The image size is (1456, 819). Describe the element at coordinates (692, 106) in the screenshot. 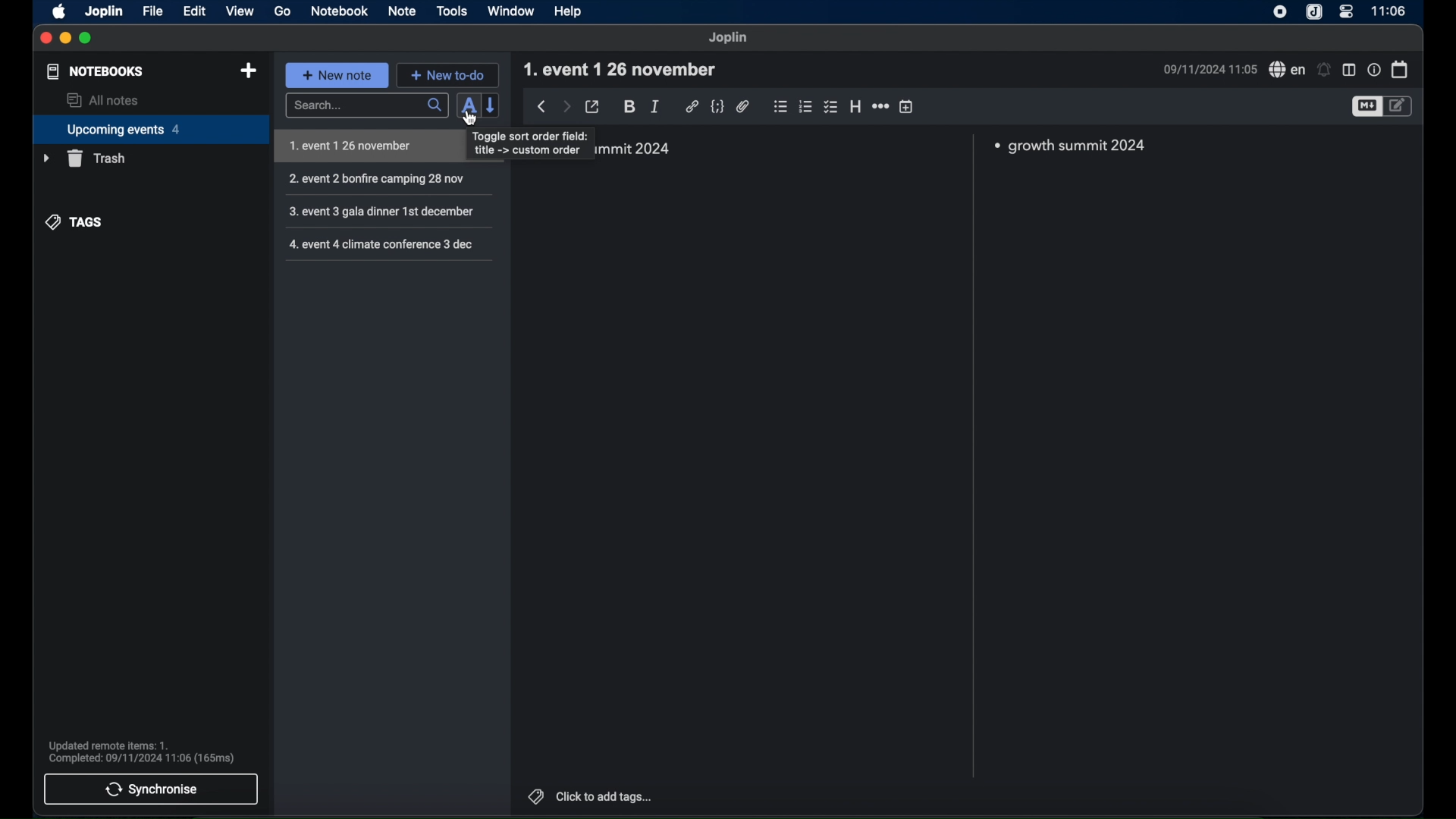

I see `hyperlink` at that location.